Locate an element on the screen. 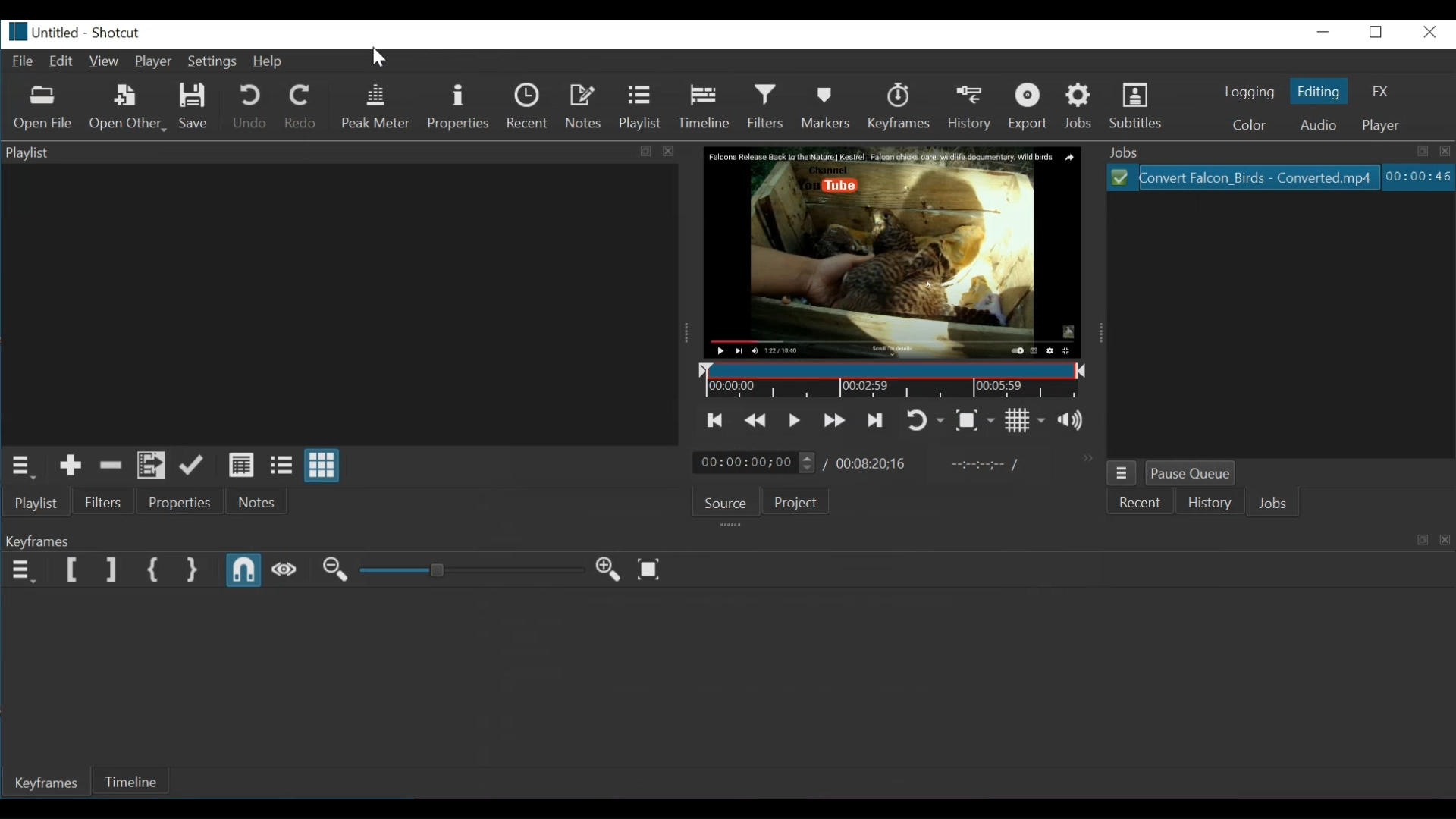 The height and width of the screenshot is (819, 1456). Untitled-Shortcut(File details) is located at coordinates (86, 33).